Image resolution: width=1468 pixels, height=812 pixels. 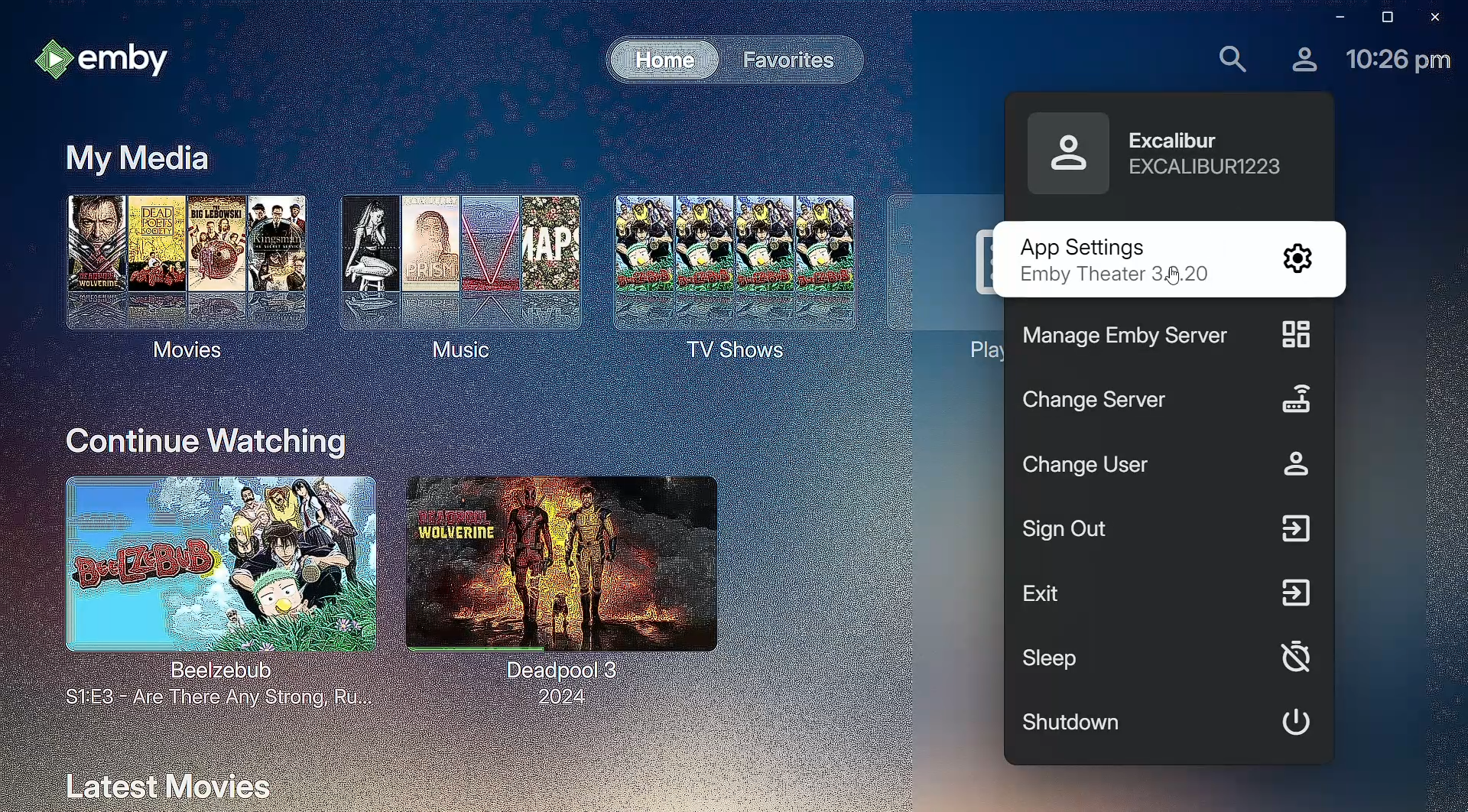 I want to click on Home, so click(x=654, y=58).